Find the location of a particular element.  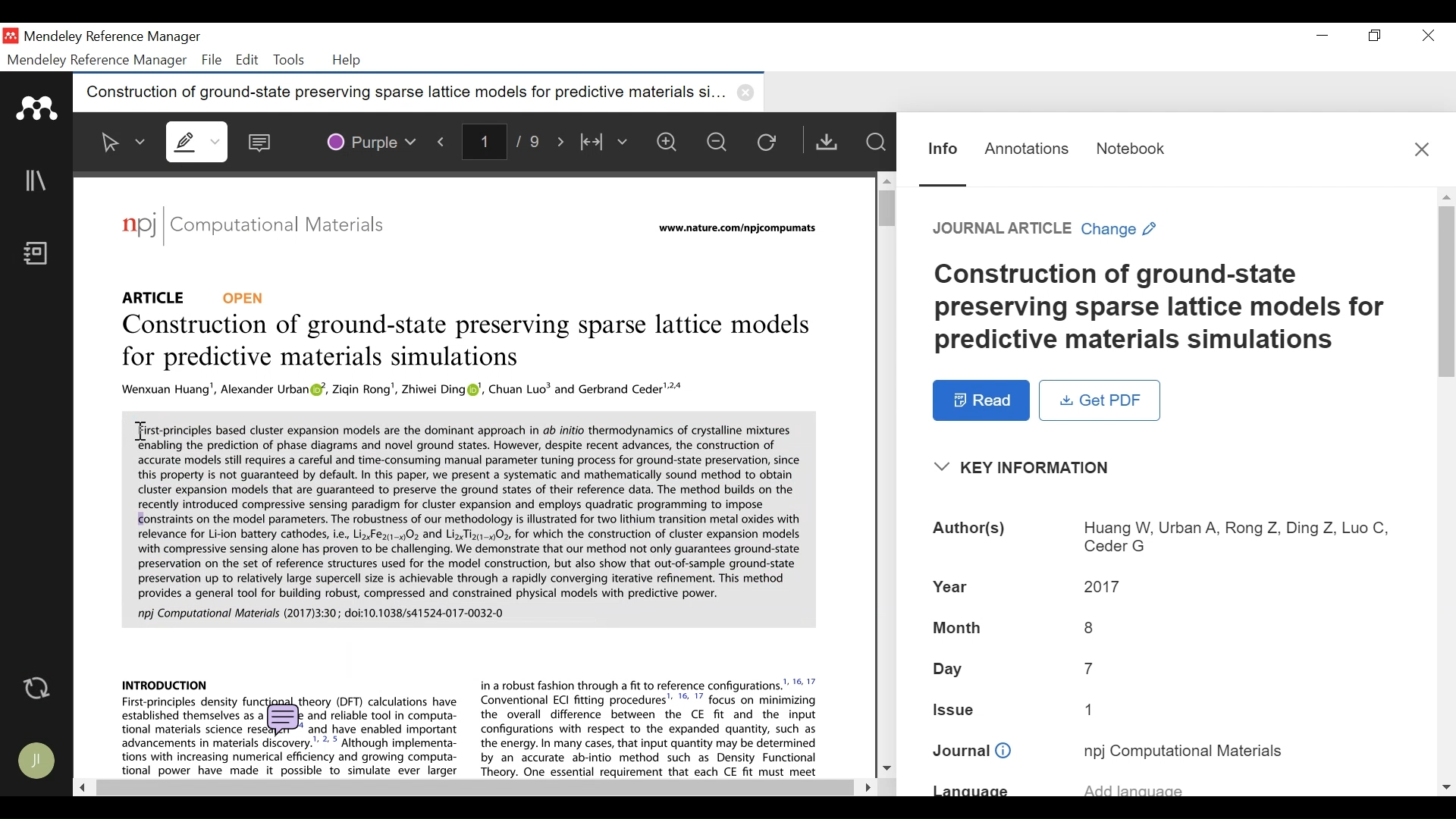

File is located at coordinates (212, 60).